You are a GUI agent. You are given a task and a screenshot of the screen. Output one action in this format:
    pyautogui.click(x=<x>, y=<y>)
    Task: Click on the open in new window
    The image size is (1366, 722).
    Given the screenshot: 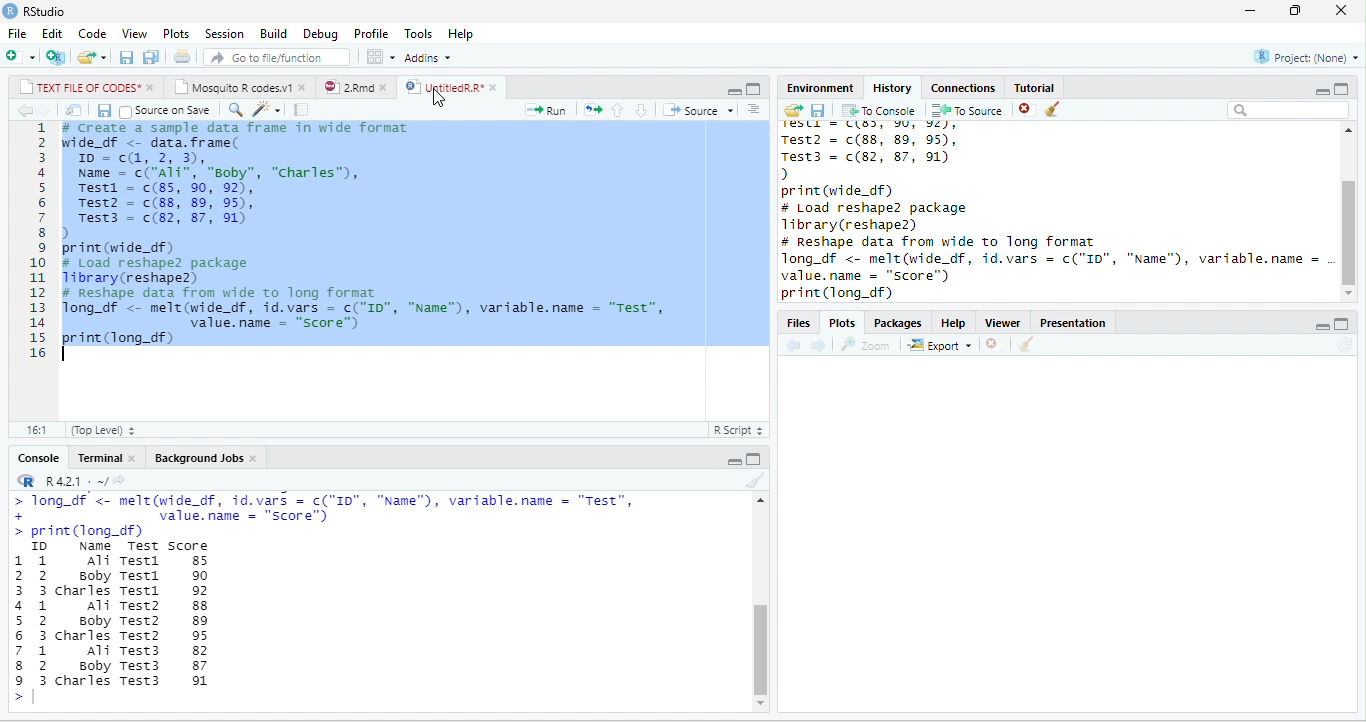 What is the action you would take?
    pyautogui.click(x=73, y=110)
    